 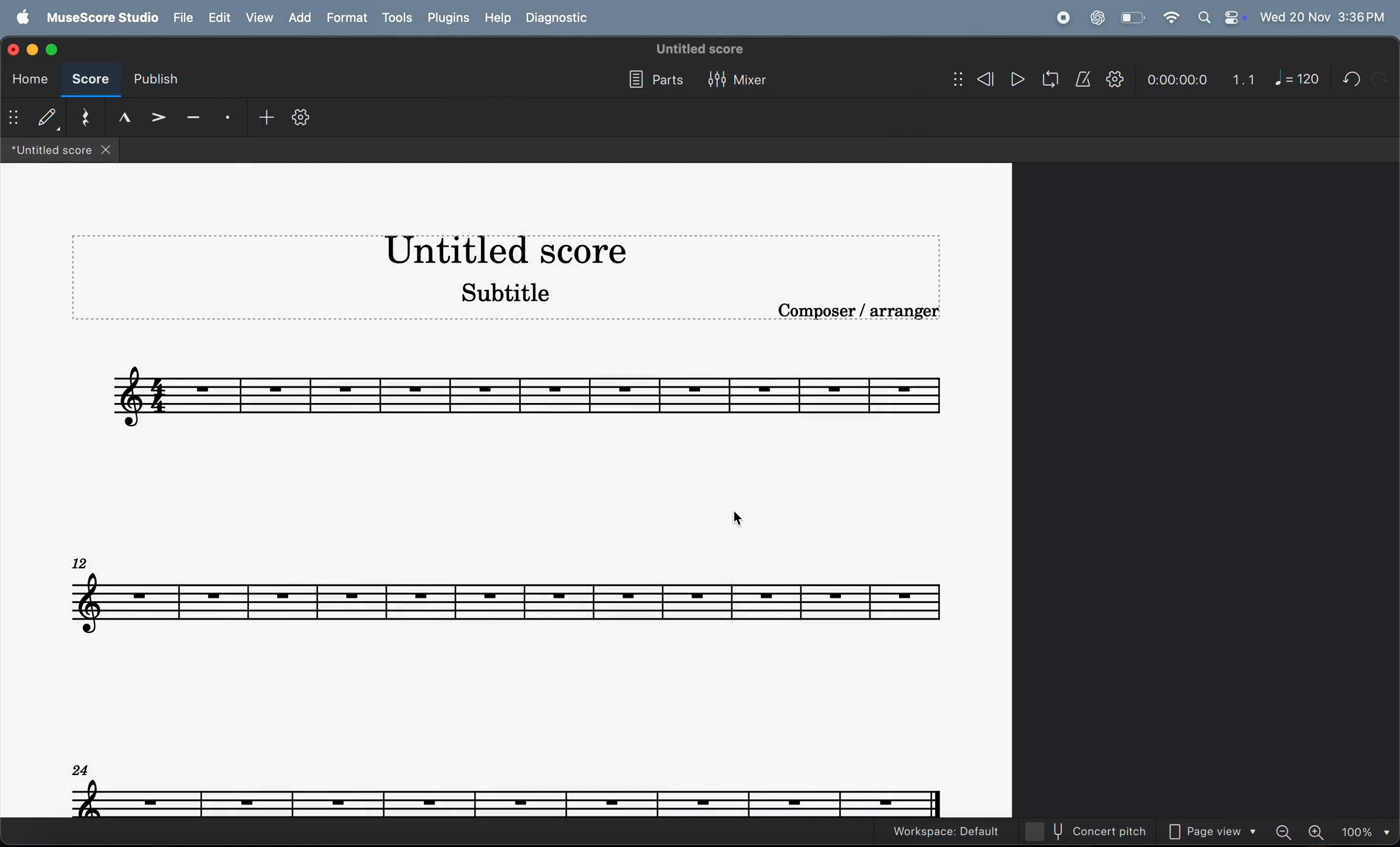 I want to click on time frame, so click(x=1176, y=81).